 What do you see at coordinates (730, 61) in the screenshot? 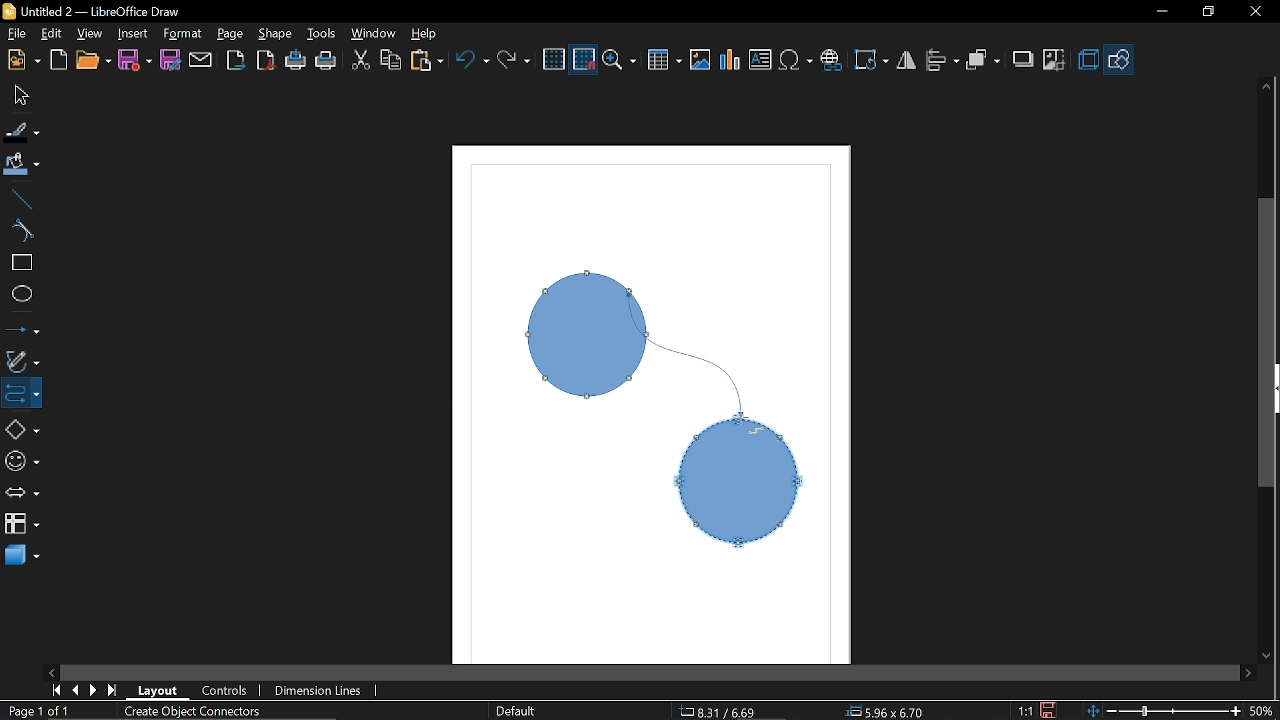
I see `Insert Chart` at bounding box center [730, 61].